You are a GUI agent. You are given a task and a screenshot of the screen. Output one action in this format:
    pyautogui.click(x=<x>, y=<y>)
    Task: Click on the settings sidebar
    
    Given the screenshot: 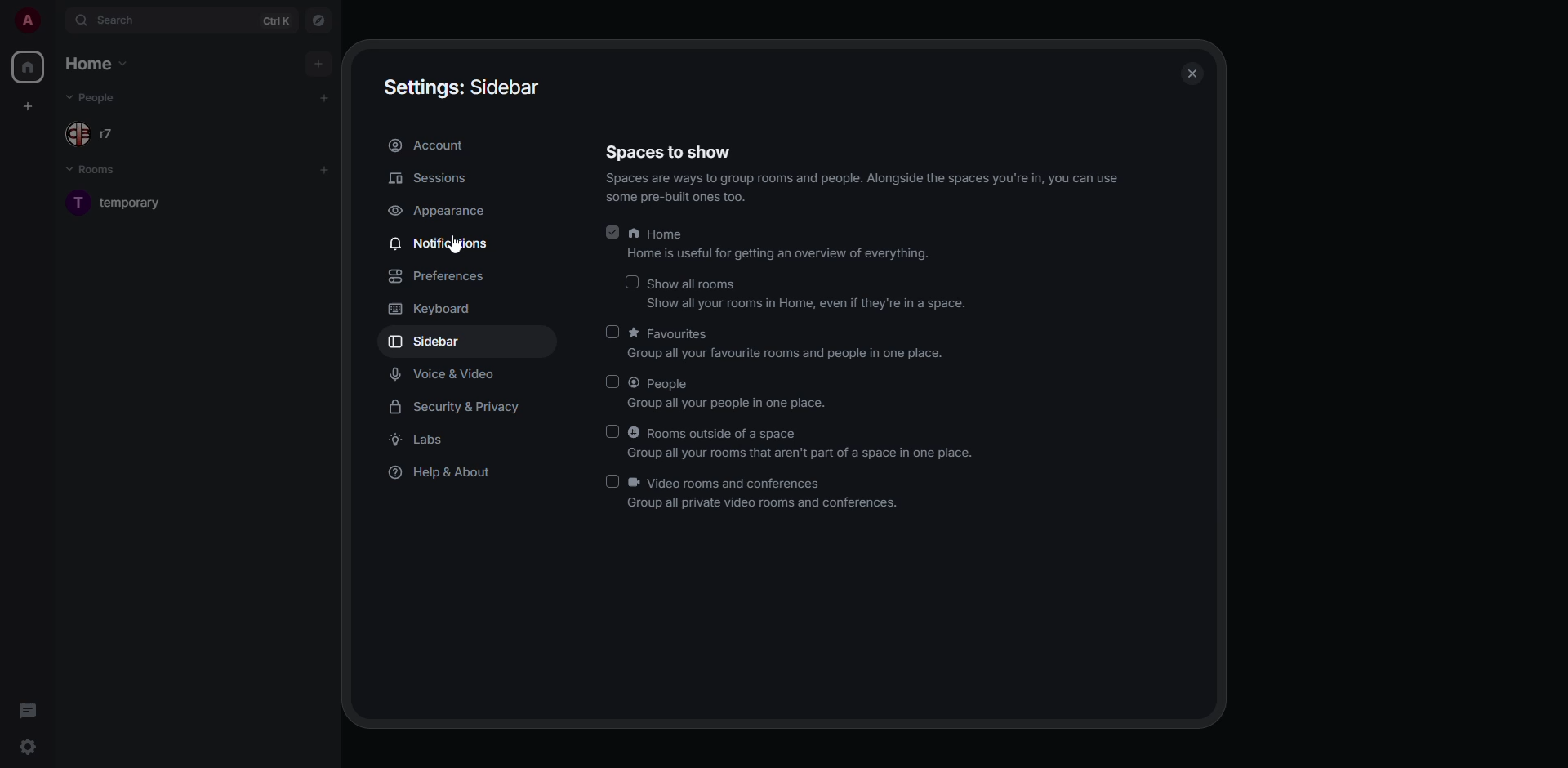 What is the action you would take?
    pyautogui.click(x=463, y=84)
    